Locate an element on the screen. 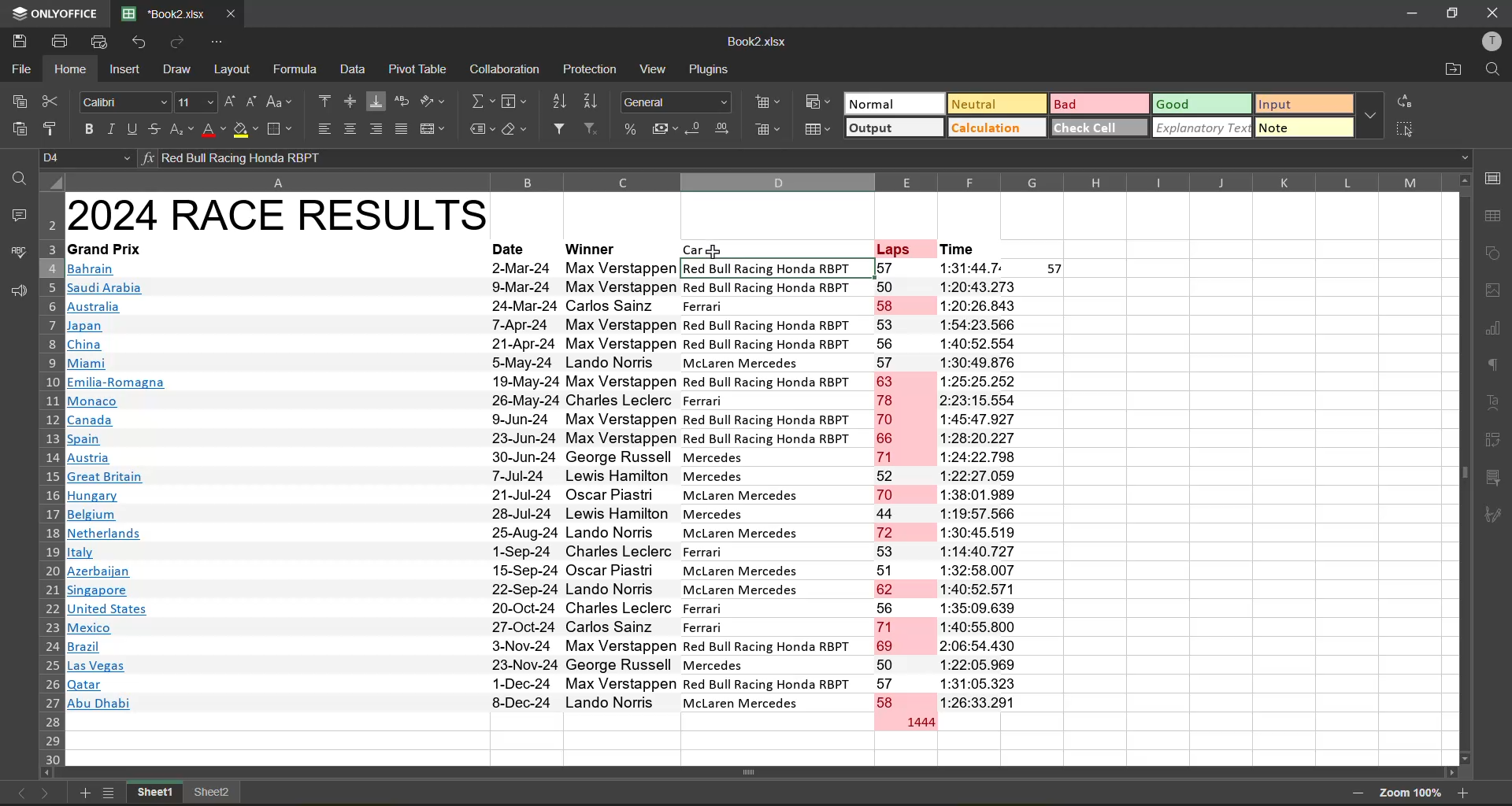 The width and height of the screenshot is (1512, 806). paragraph is located at coordinates (1493, 365).